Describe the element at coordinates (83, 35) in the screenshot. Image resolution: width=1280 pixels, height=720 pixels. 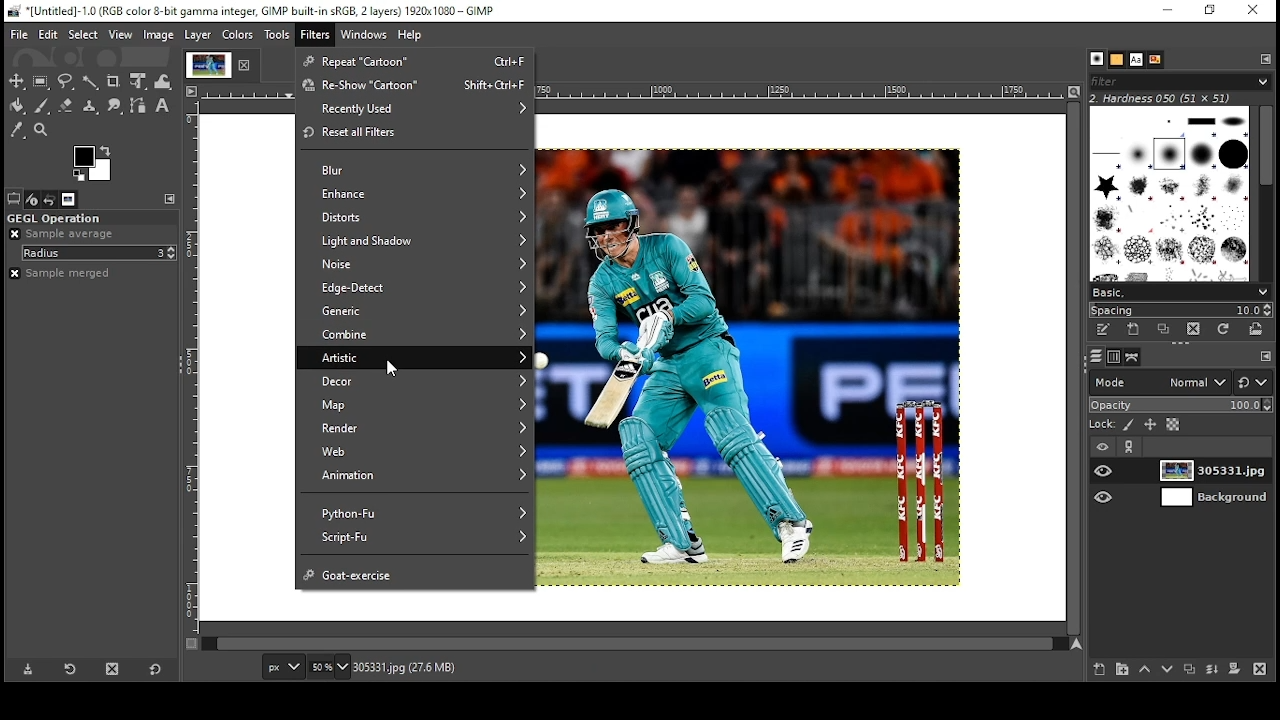
I see `select` at that location.